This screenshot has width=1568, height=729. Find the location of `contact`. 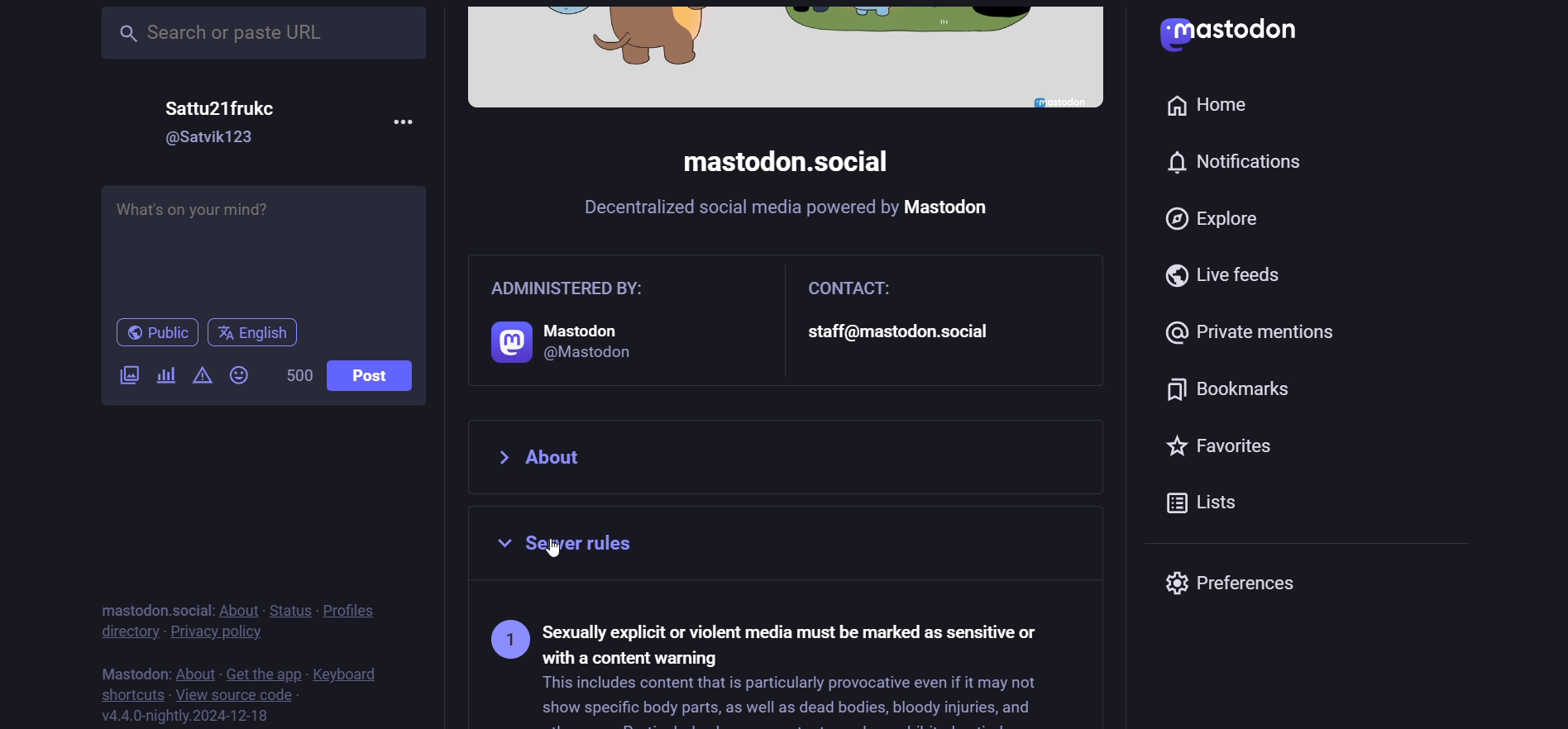

contact is located at coordinates (915, 319).